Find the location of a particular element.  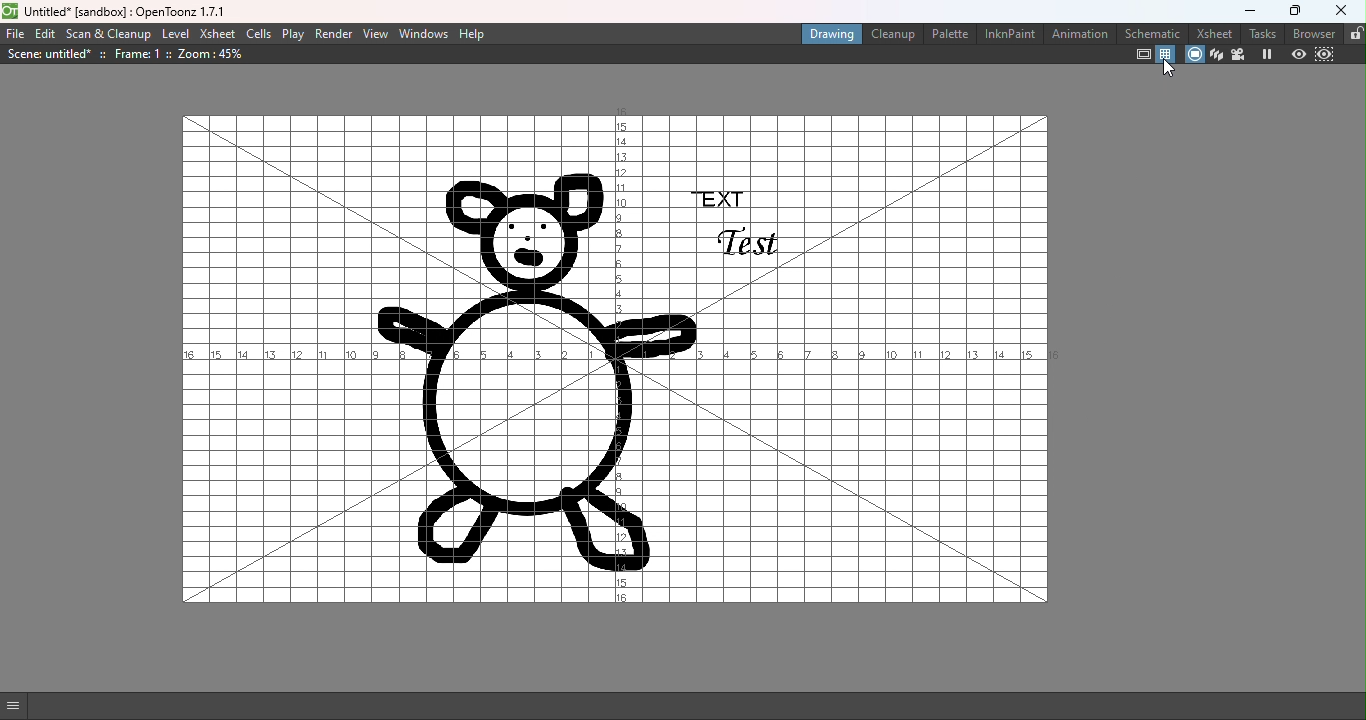

Scan & Cleanup is located at coordinates (111, 34).